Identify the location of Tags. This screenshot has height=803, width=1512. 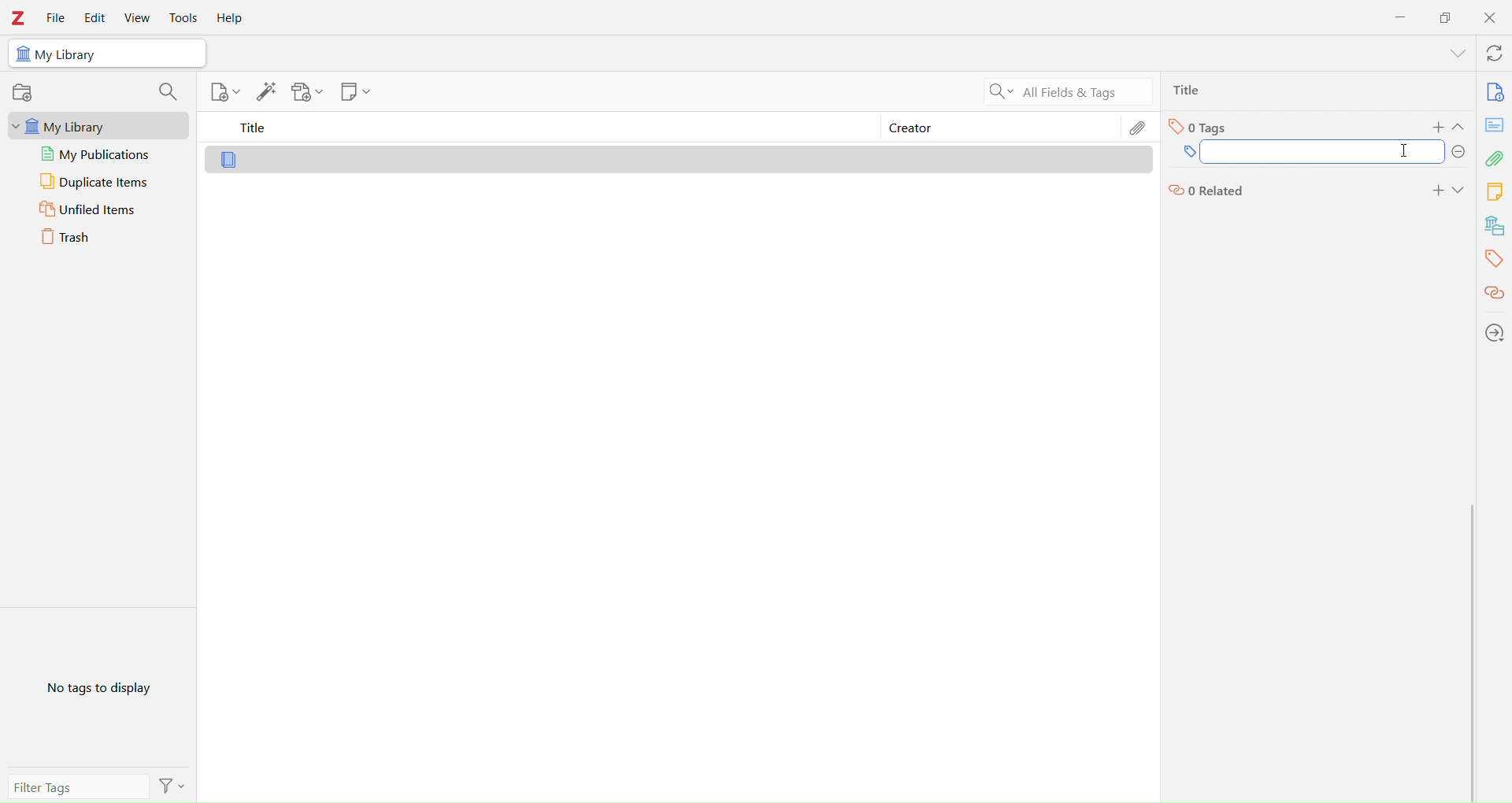
(1205, 130).